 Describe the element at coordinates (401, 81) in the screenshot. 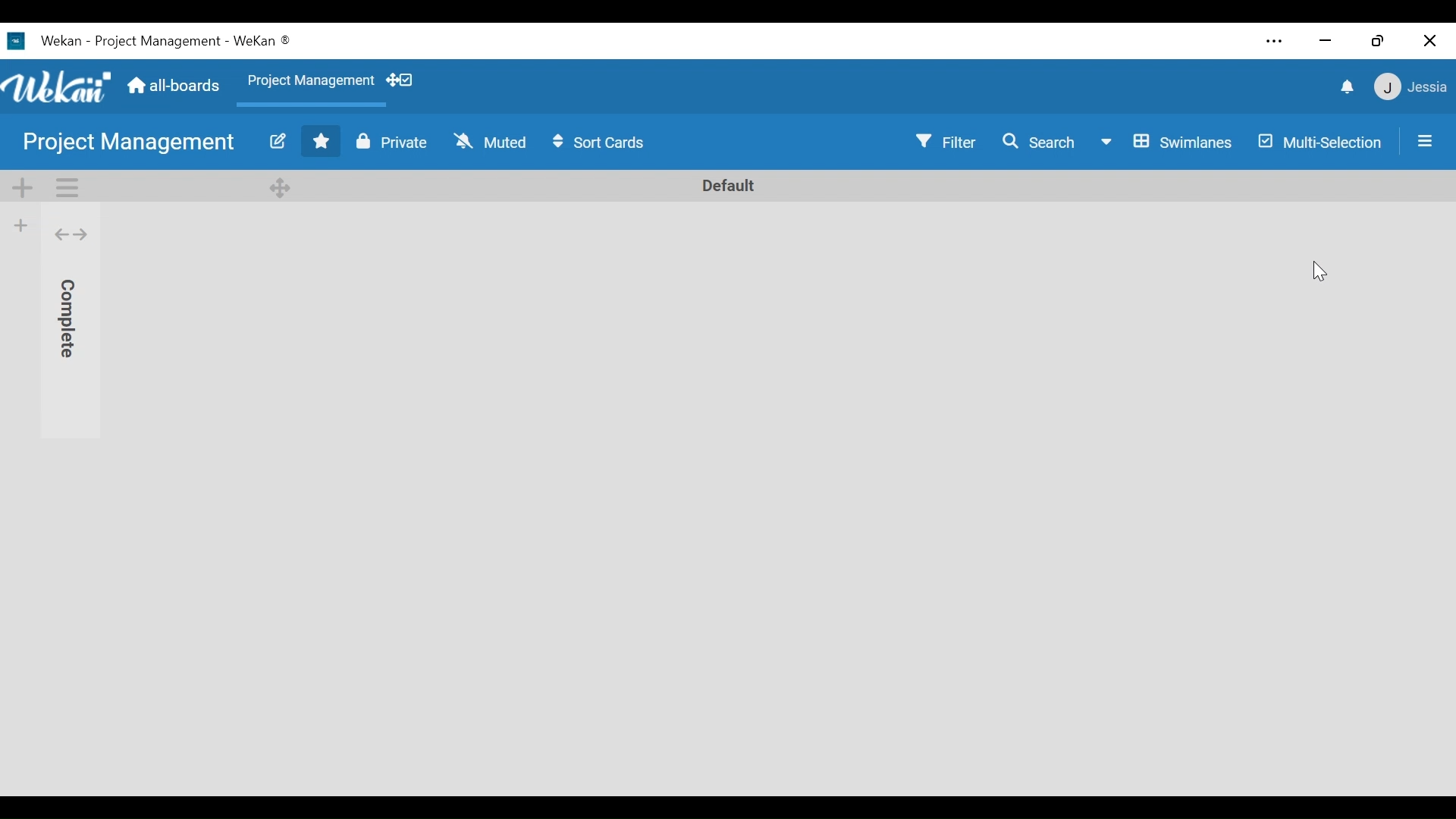

I see `Show/Hide Desktop drag handle` at that location.